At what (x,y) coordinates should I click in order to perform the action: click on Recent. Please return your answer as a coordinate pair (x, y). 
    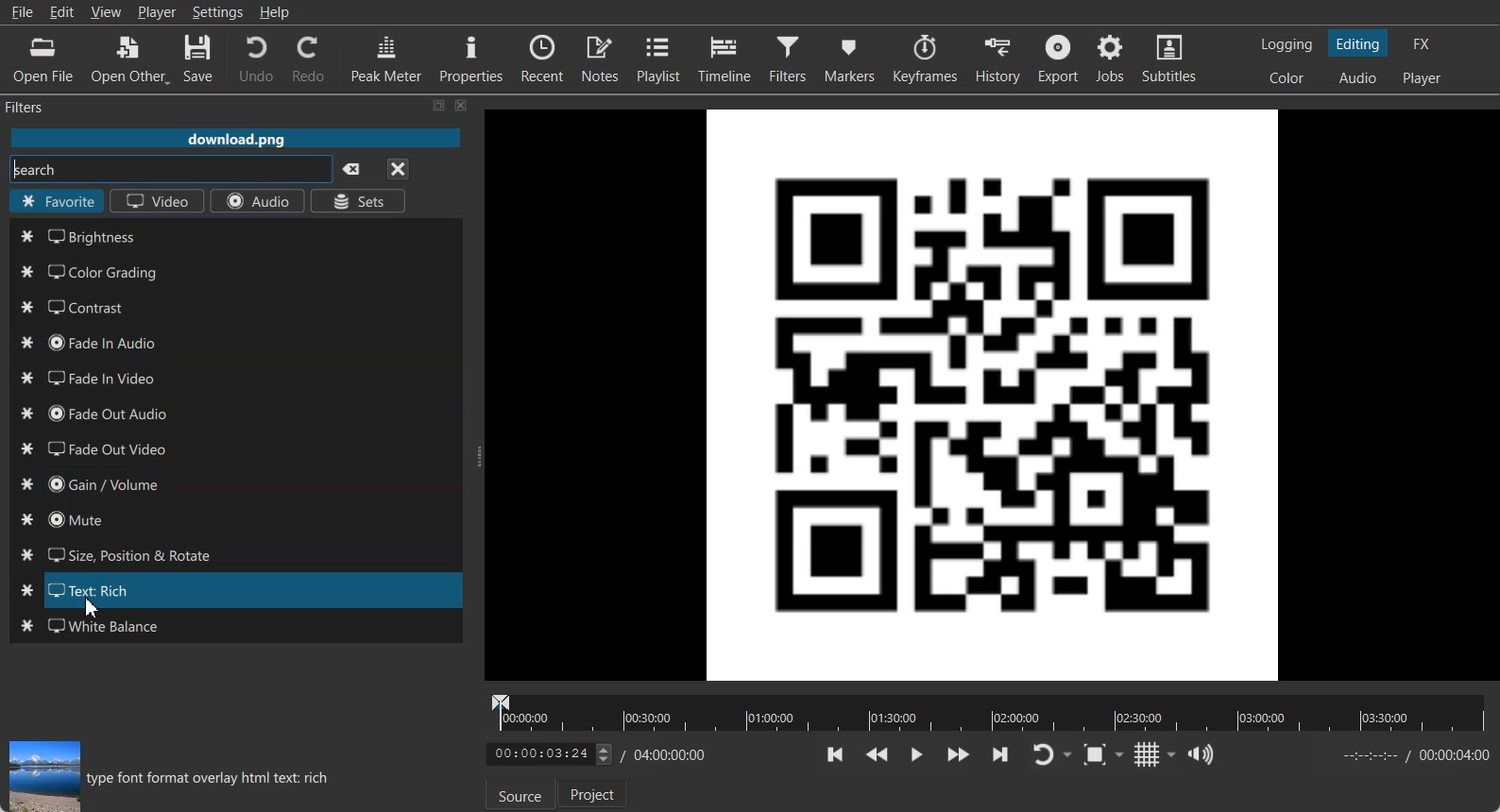
    Looking at the image, I should click on (542, 57).